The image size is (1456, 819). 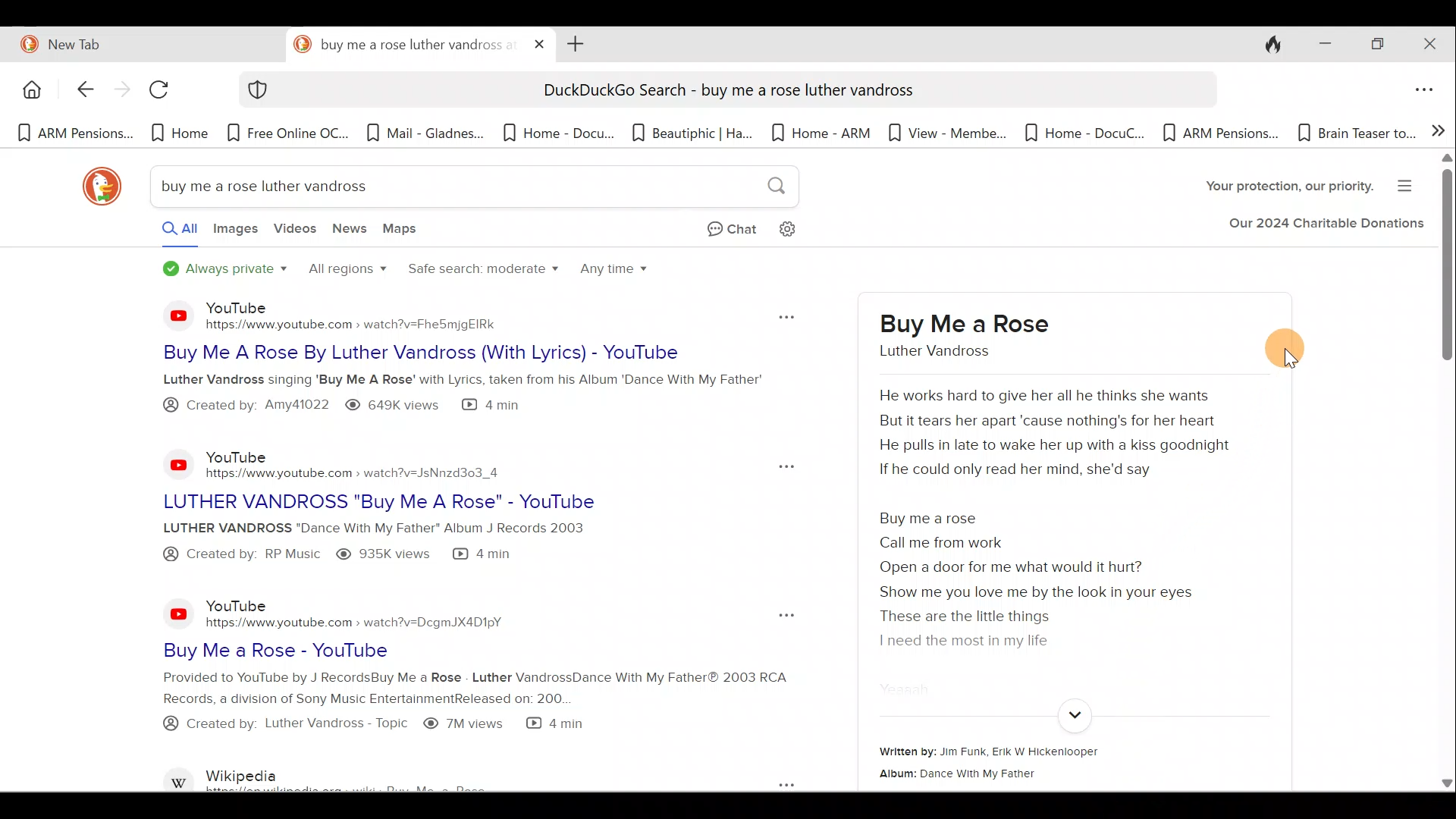 What do you see at coordinates (573, 42) in the screenshot?
I see `Add new tab` at bounding box center [573, 42].